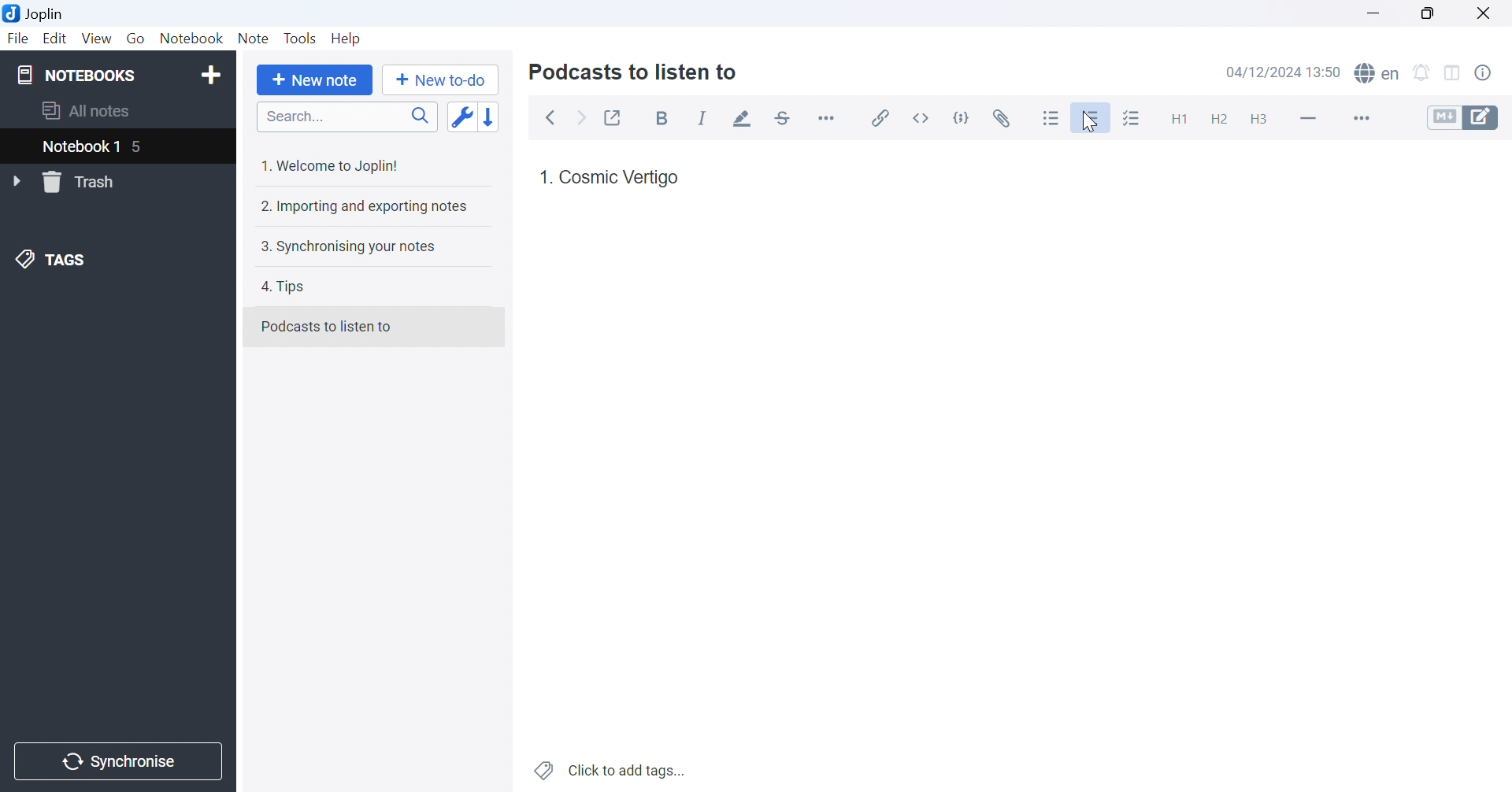 The height and width of the screenshot is (792, 1512). I want to click on Heading 1, so click(1174, 116).